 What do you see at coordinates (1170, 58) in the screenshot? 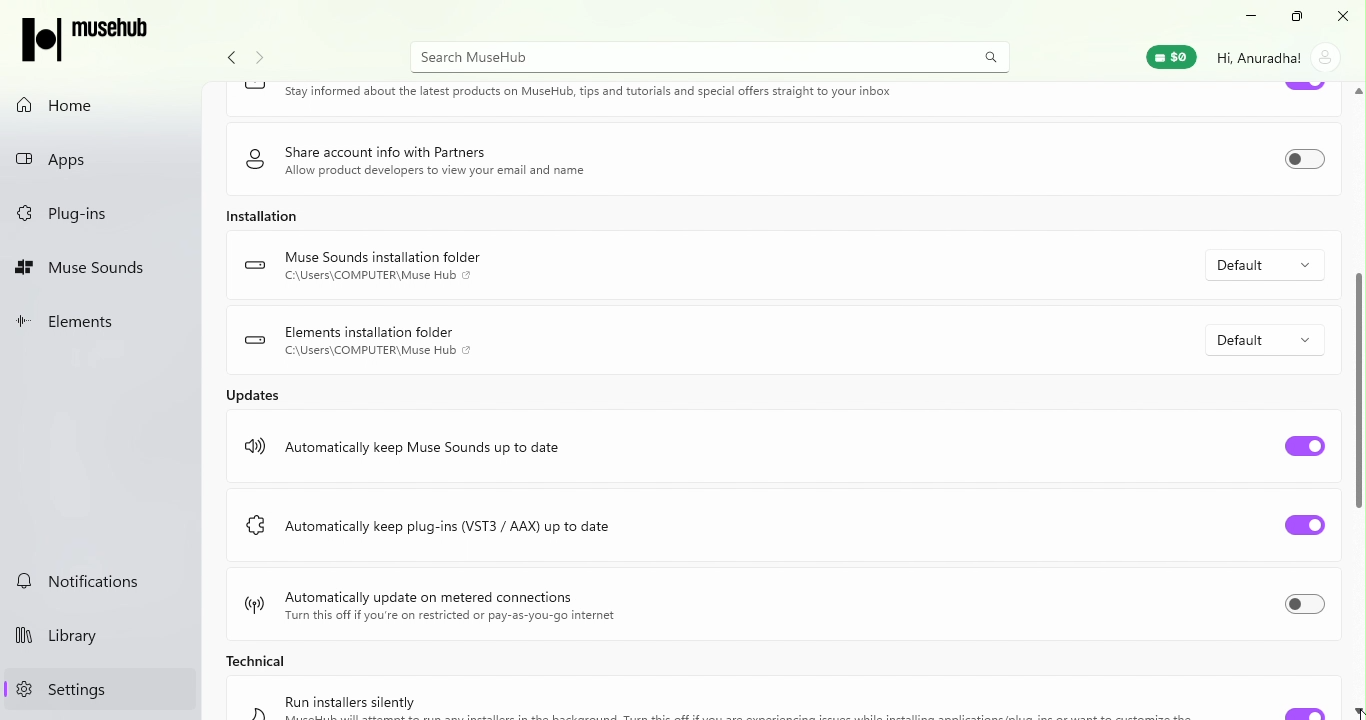
I see `Muse Wallet` at bounding box center [1170, 58].